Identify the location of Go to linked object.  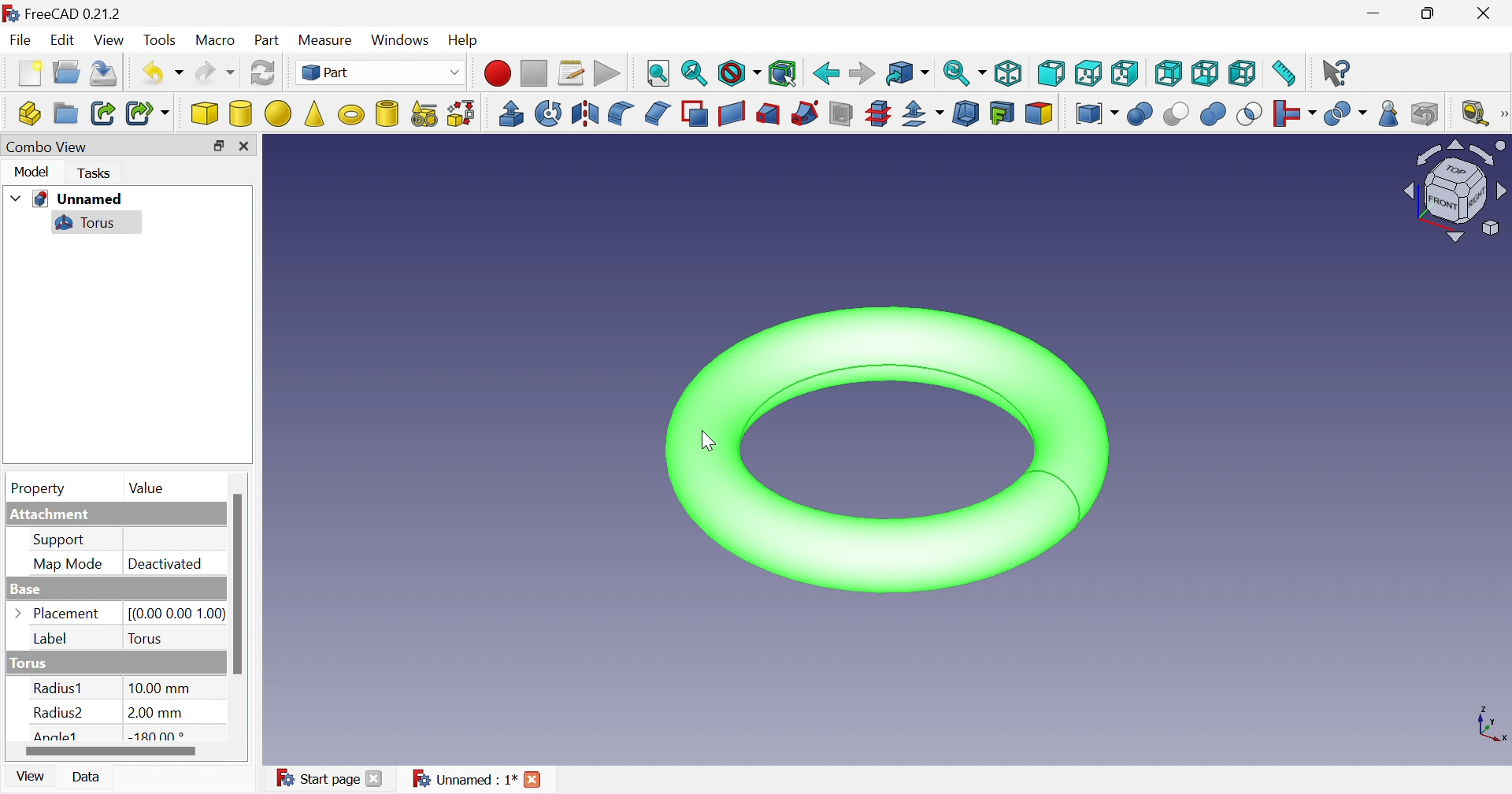
(905, 74).